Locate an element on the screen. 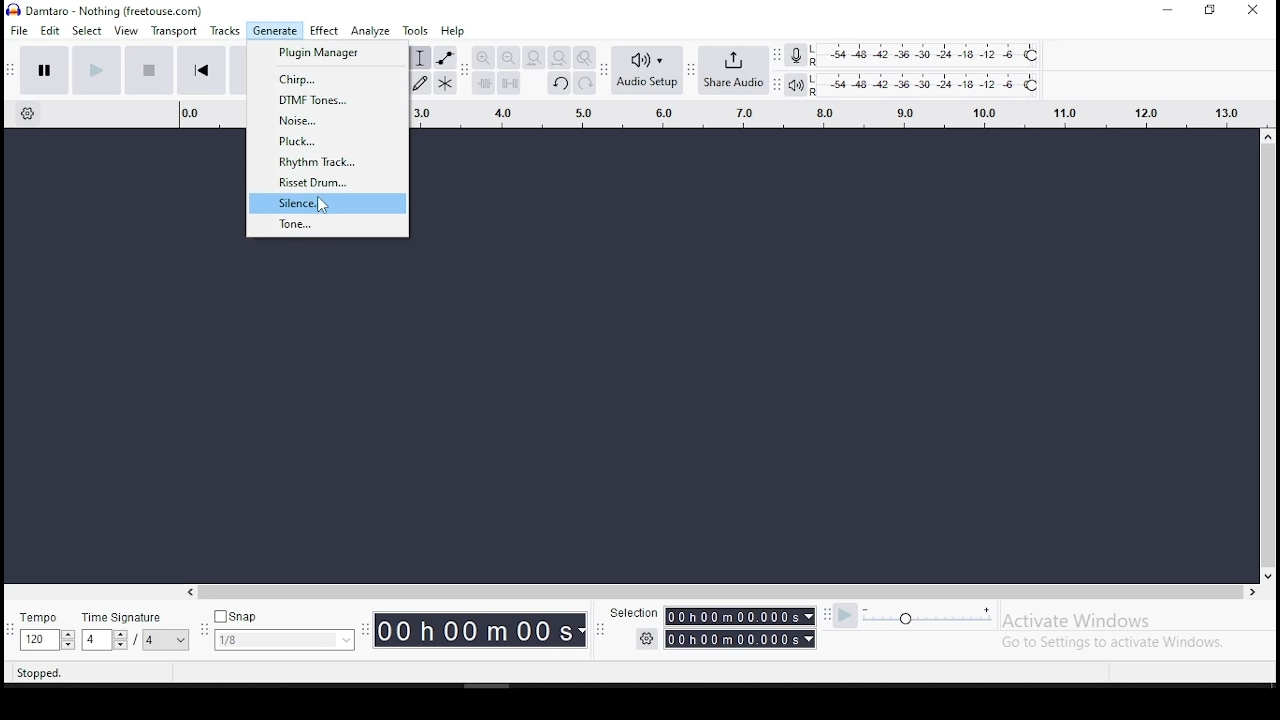 Image resolution: width=1280 pixels, height=720 pixels. file is located at coordinates (20, 30).